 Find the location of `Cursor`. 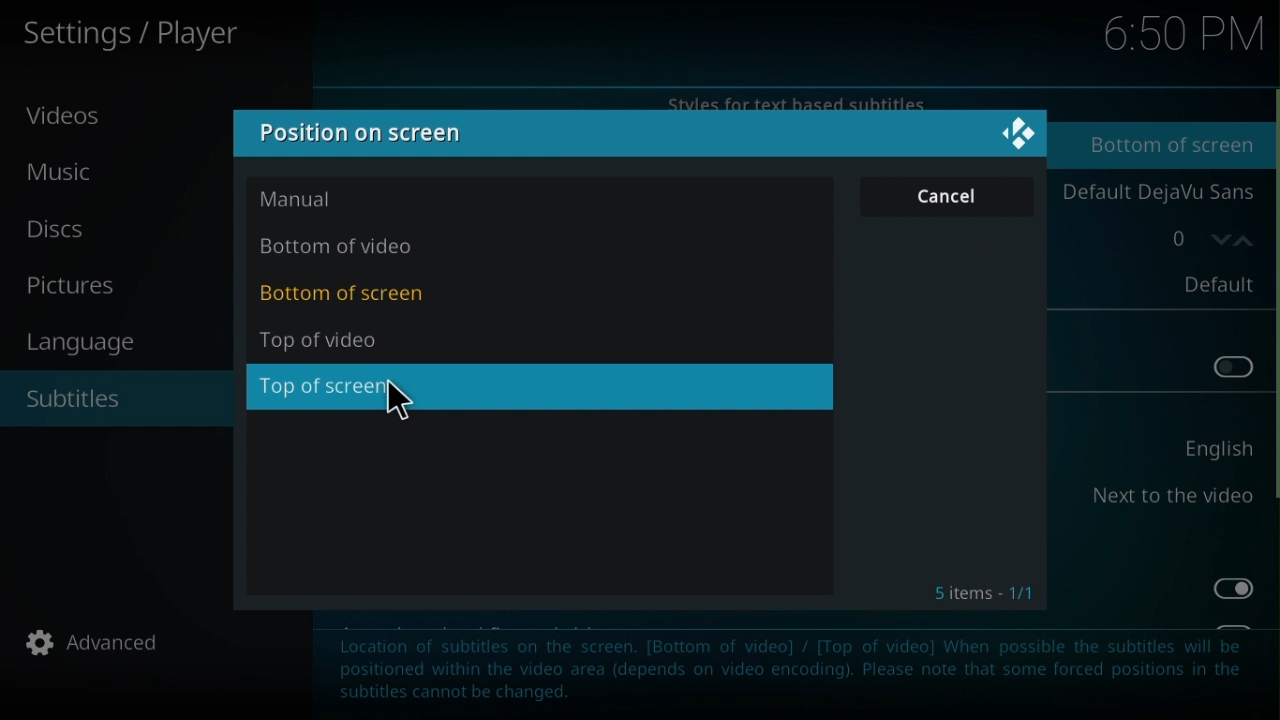

Cursor is located at coordinates (411, 402).